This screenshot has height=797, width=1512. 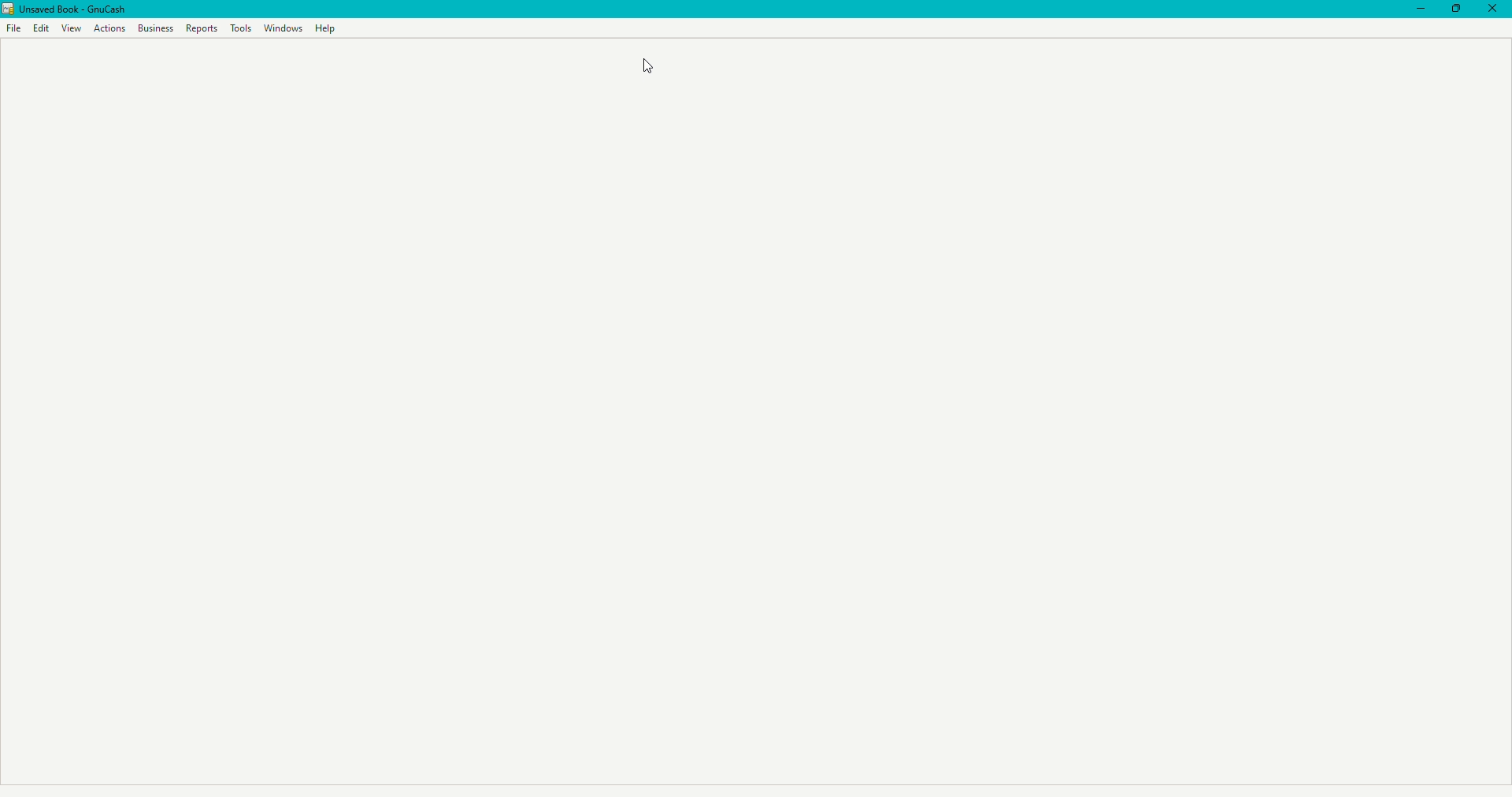 I want to click on Minimize, so click(x=1417, y=9).